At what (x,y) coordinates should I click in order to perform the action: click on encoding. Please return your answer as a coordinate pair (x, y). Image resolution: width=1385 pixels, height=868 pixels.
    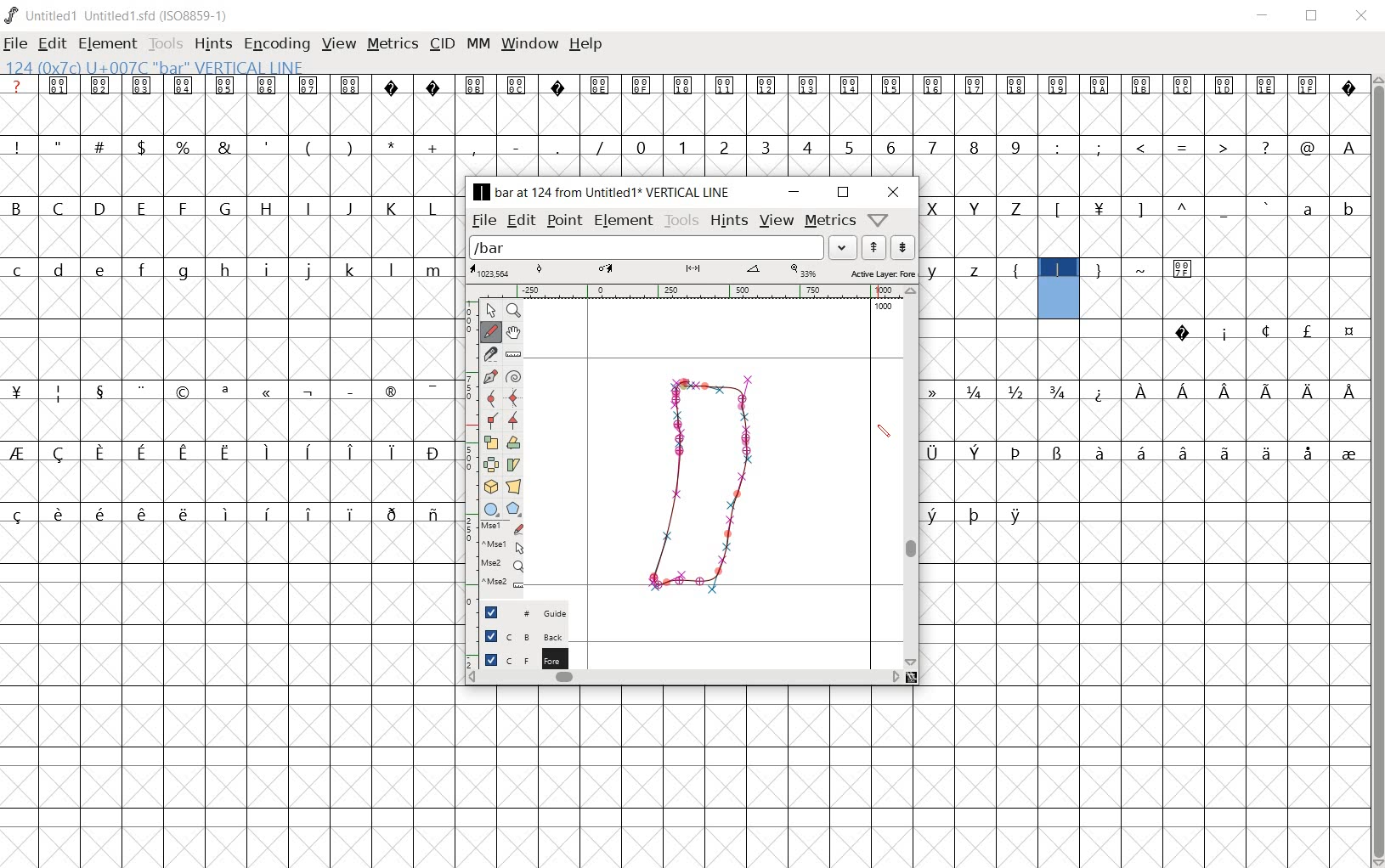
    Looking at the image, I should click on (278, 43).